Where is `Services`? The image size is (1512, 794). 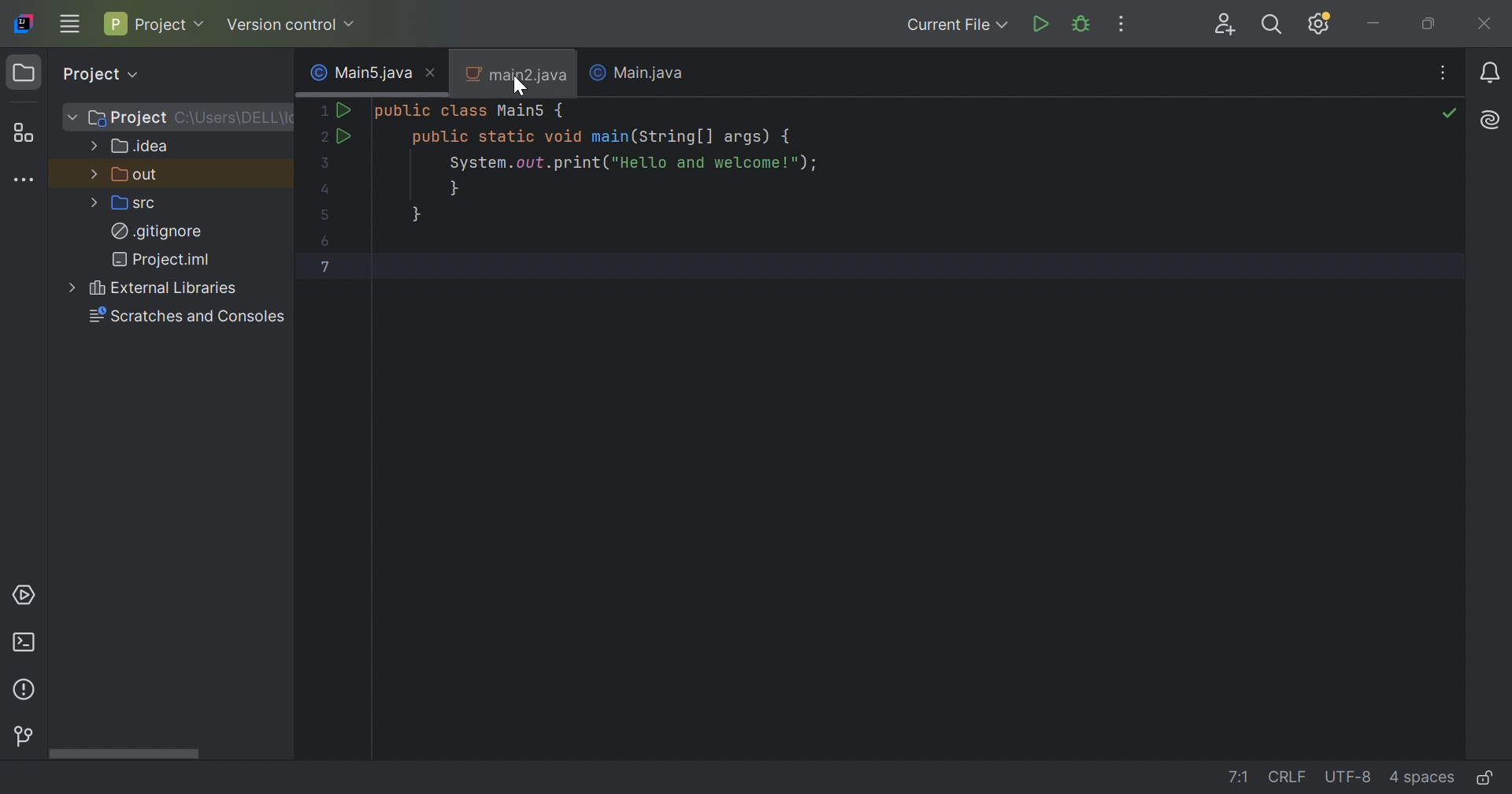 Services is located at coordinates (27, 593).